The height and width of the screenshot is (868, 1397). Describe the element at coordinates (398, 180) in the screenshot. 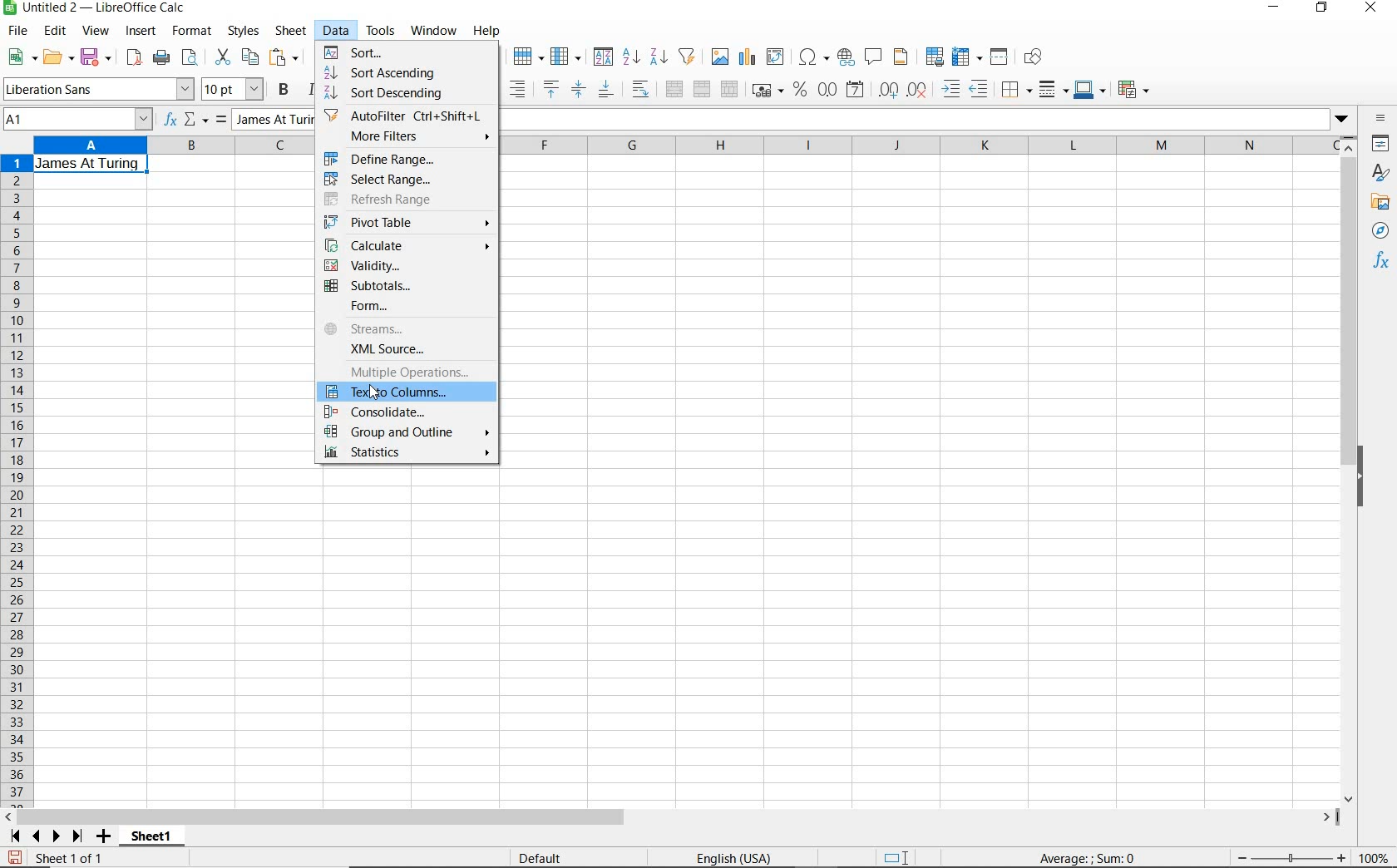

I see `select range` at that location.